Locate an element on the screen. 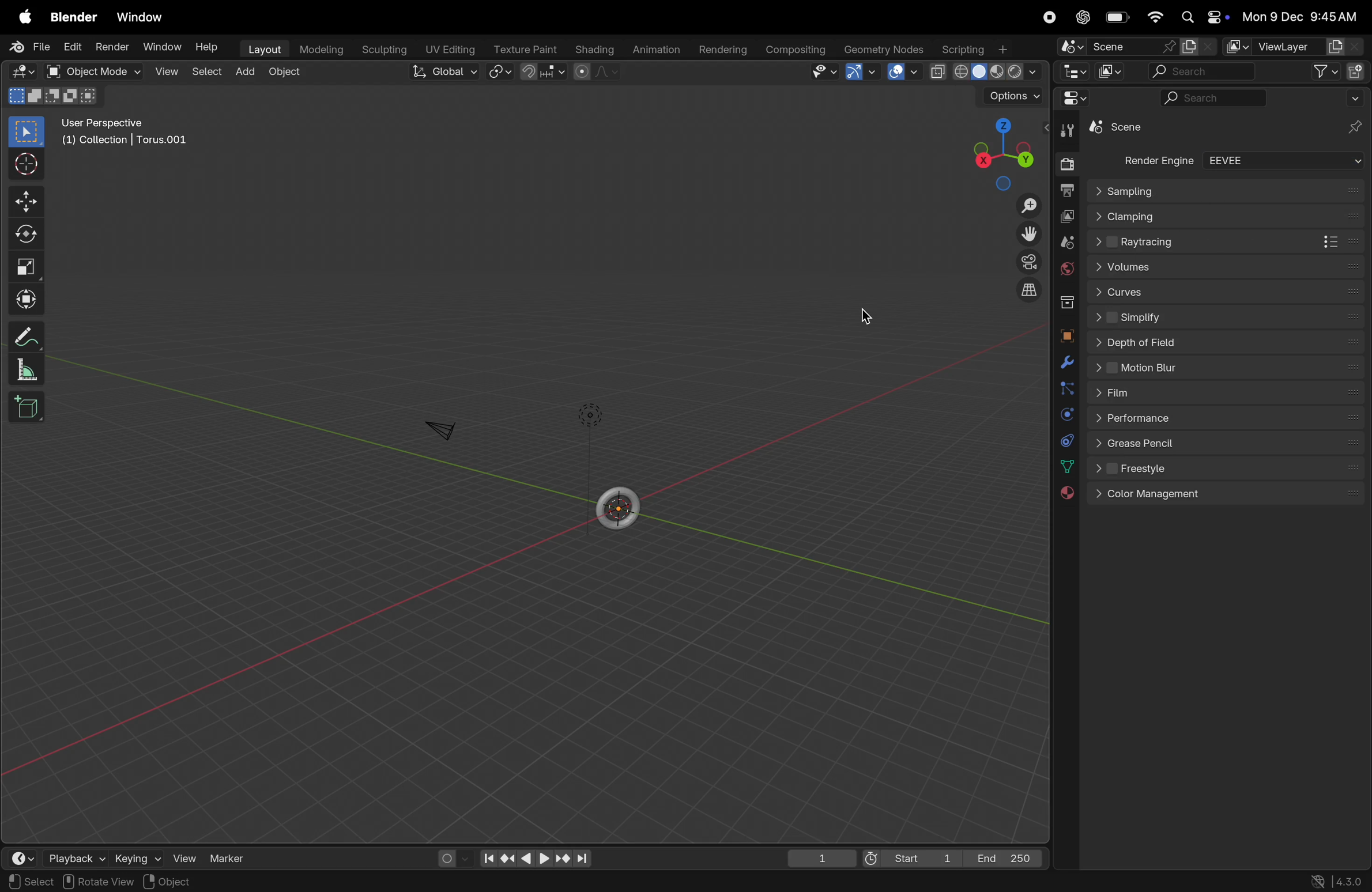  motion blur is located at coordinates (1225, 368).